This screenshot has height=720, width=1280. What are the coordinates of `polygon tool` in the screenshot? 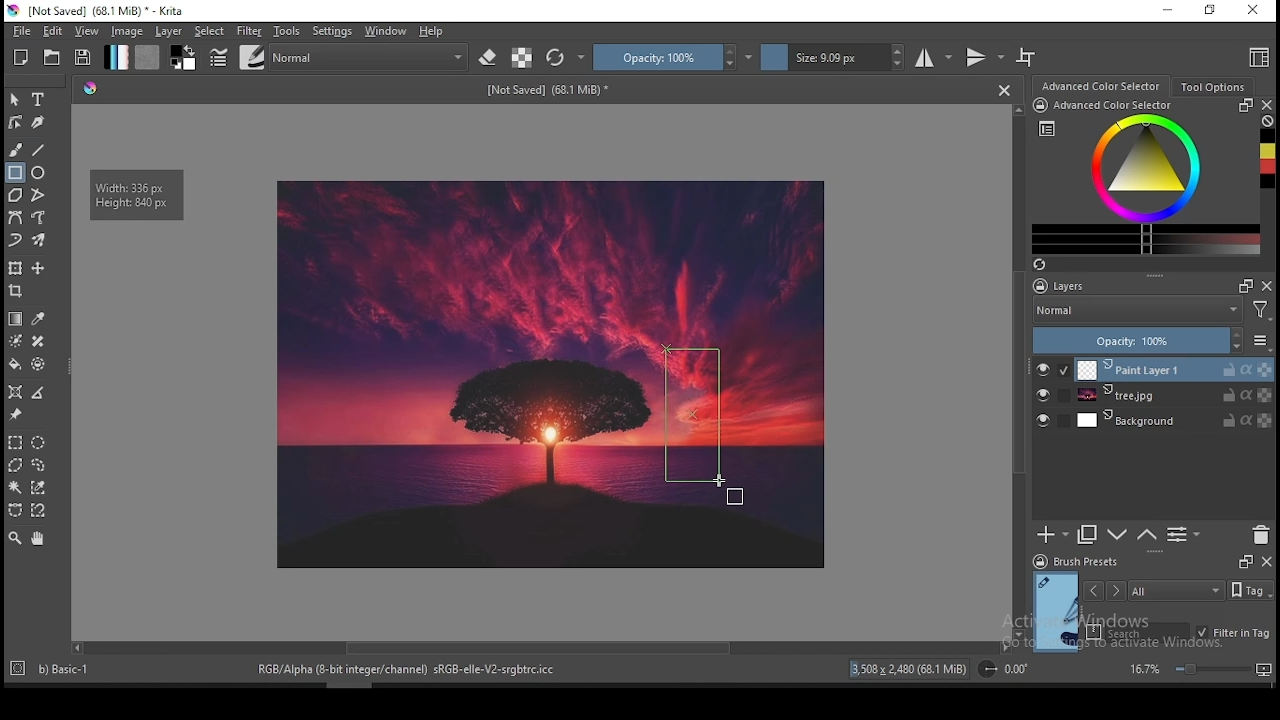 It's located at (14, 195).